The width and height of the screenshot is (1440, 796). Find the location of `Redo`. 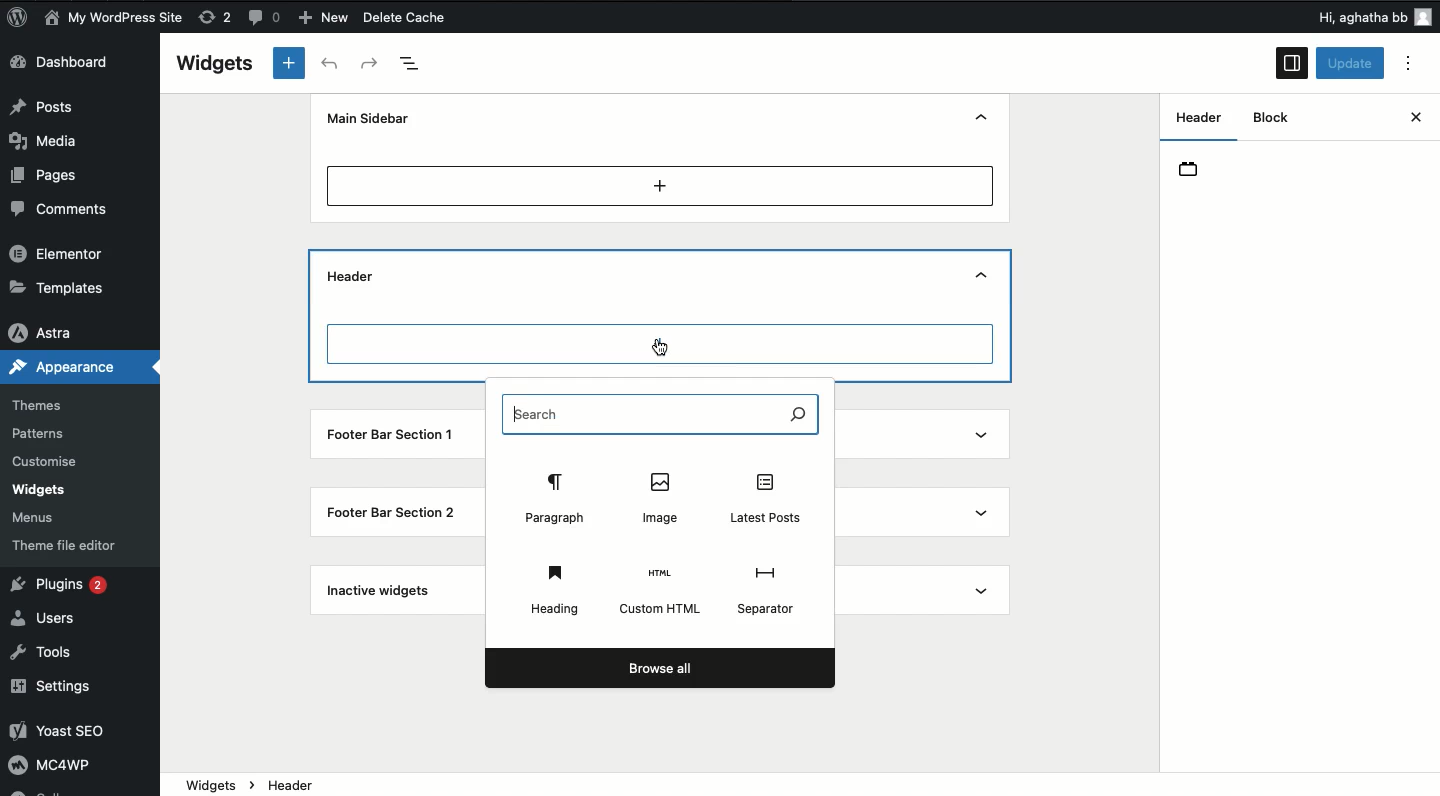

Redo is located at coordinates (370, 63).